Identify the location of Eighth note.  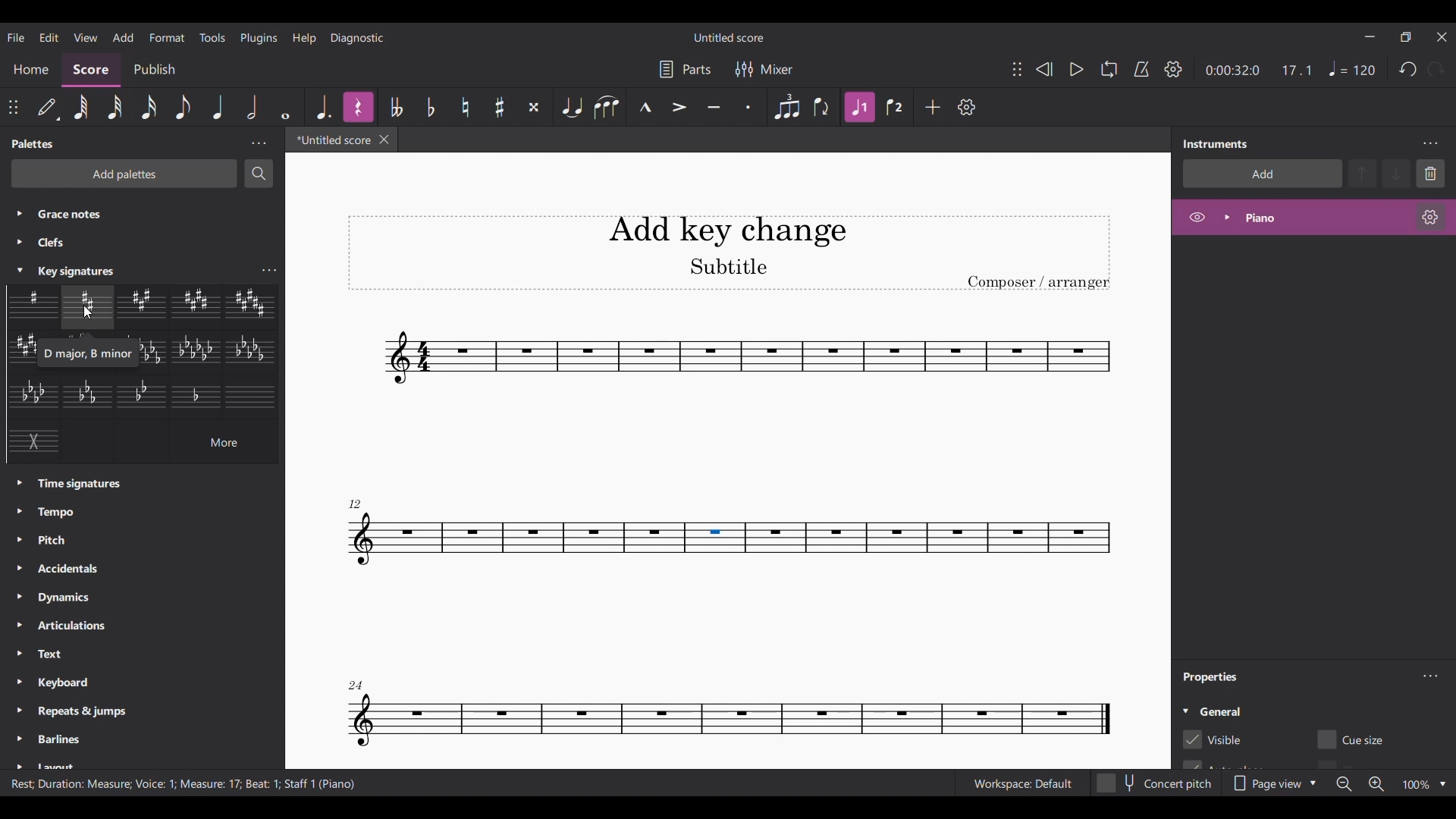
(183, 108).